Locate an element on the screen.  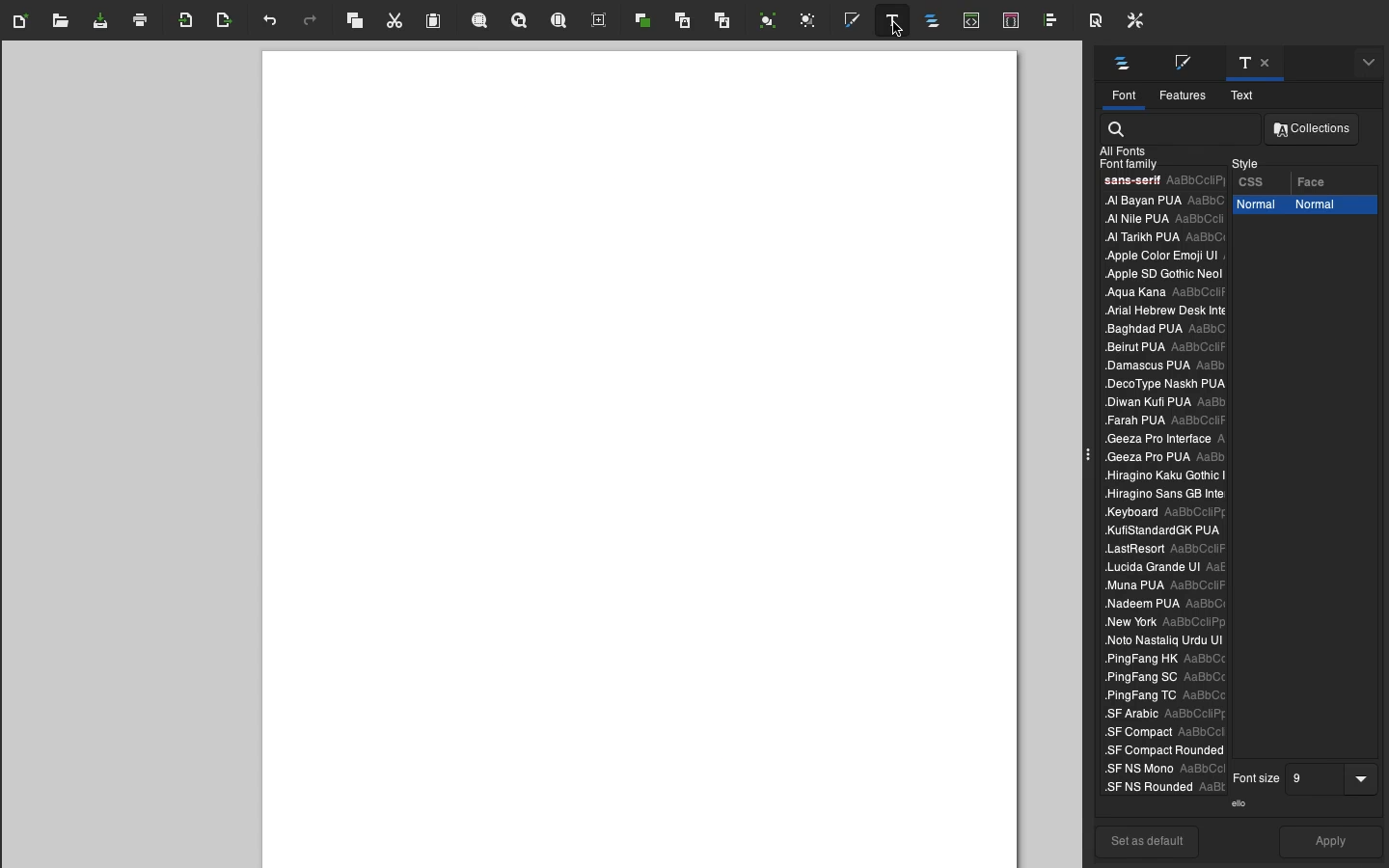
.Noso Nastaliq Urdu Ui is located at coordinates (1160, 639).